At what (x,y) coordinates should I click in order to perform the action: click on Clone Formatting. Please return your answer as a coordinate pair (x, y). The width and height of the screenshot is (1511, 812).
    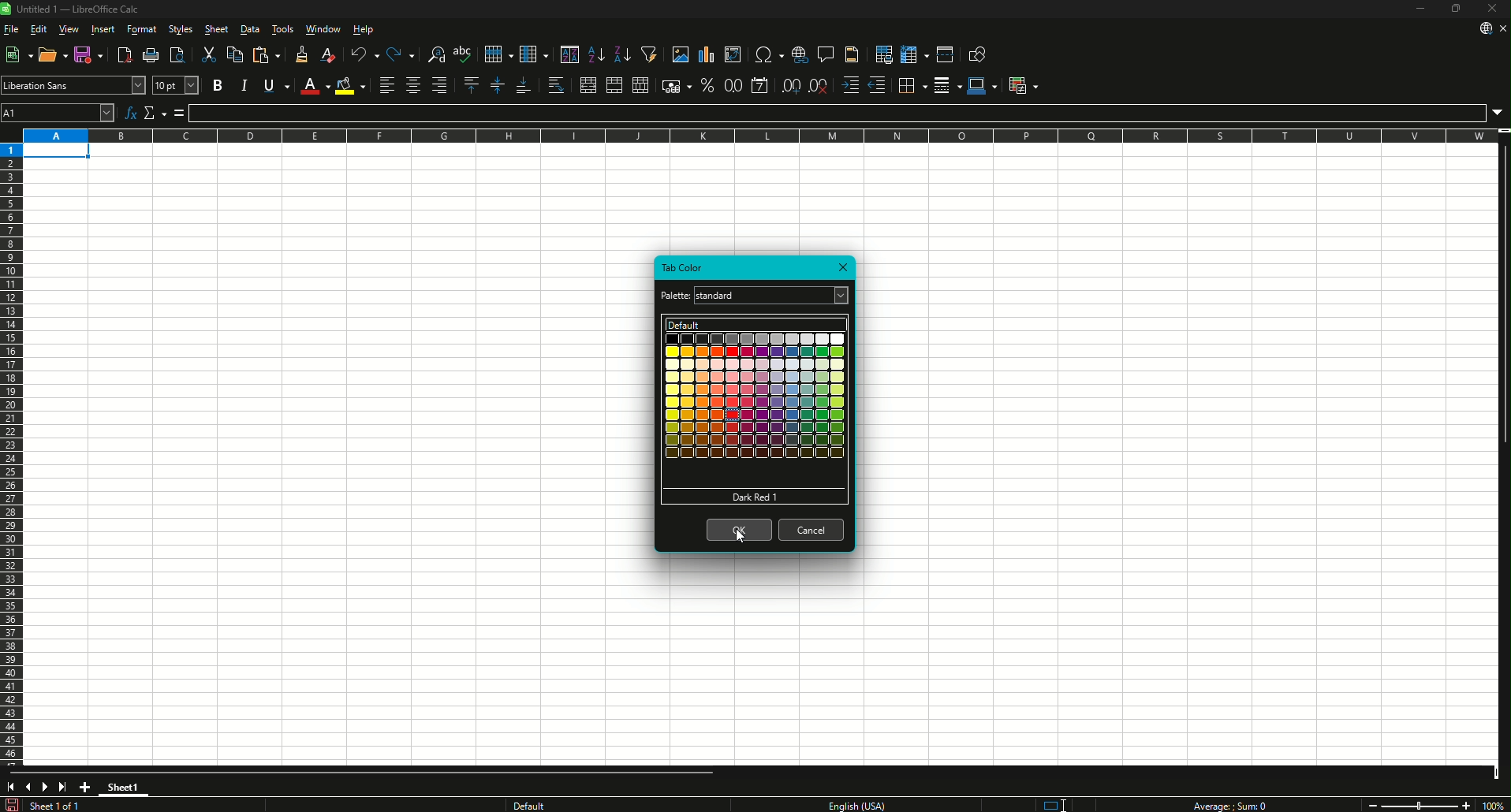
    Looking at the image, I should click on (304, 54).